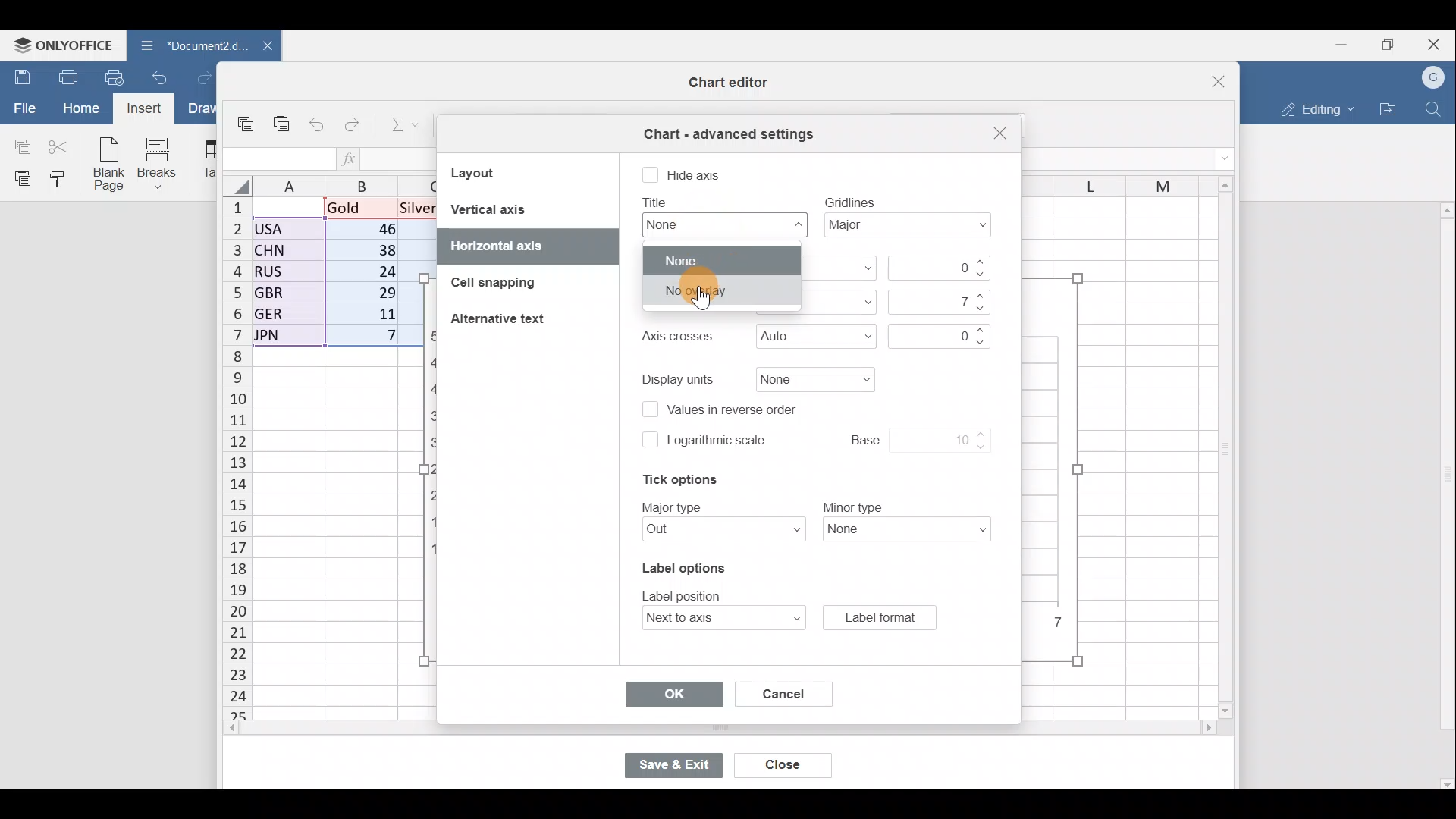  I want to click on Minimize, so click(1335, 46).